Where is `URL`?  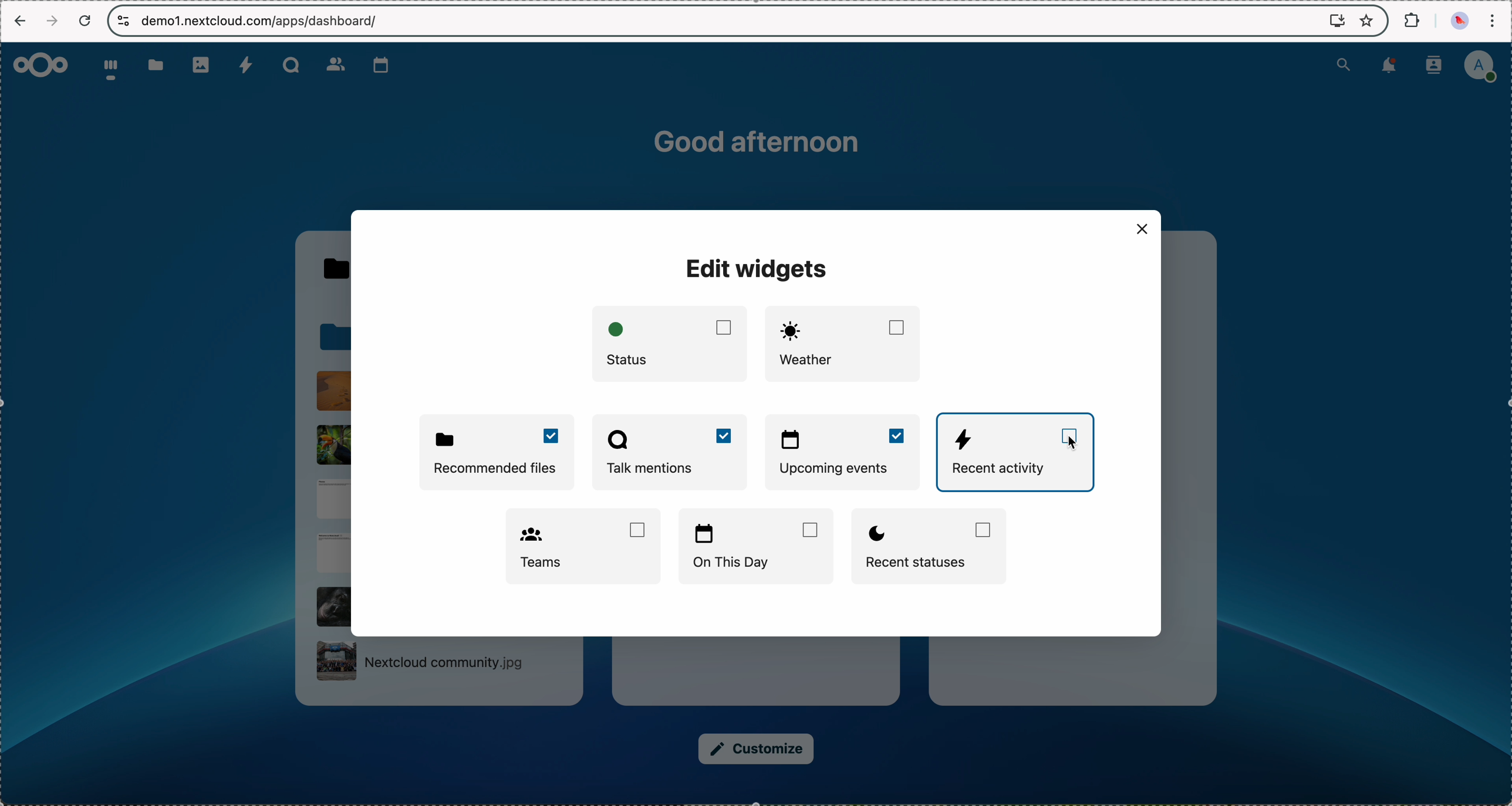 URL is located at coordinates (262, 21).